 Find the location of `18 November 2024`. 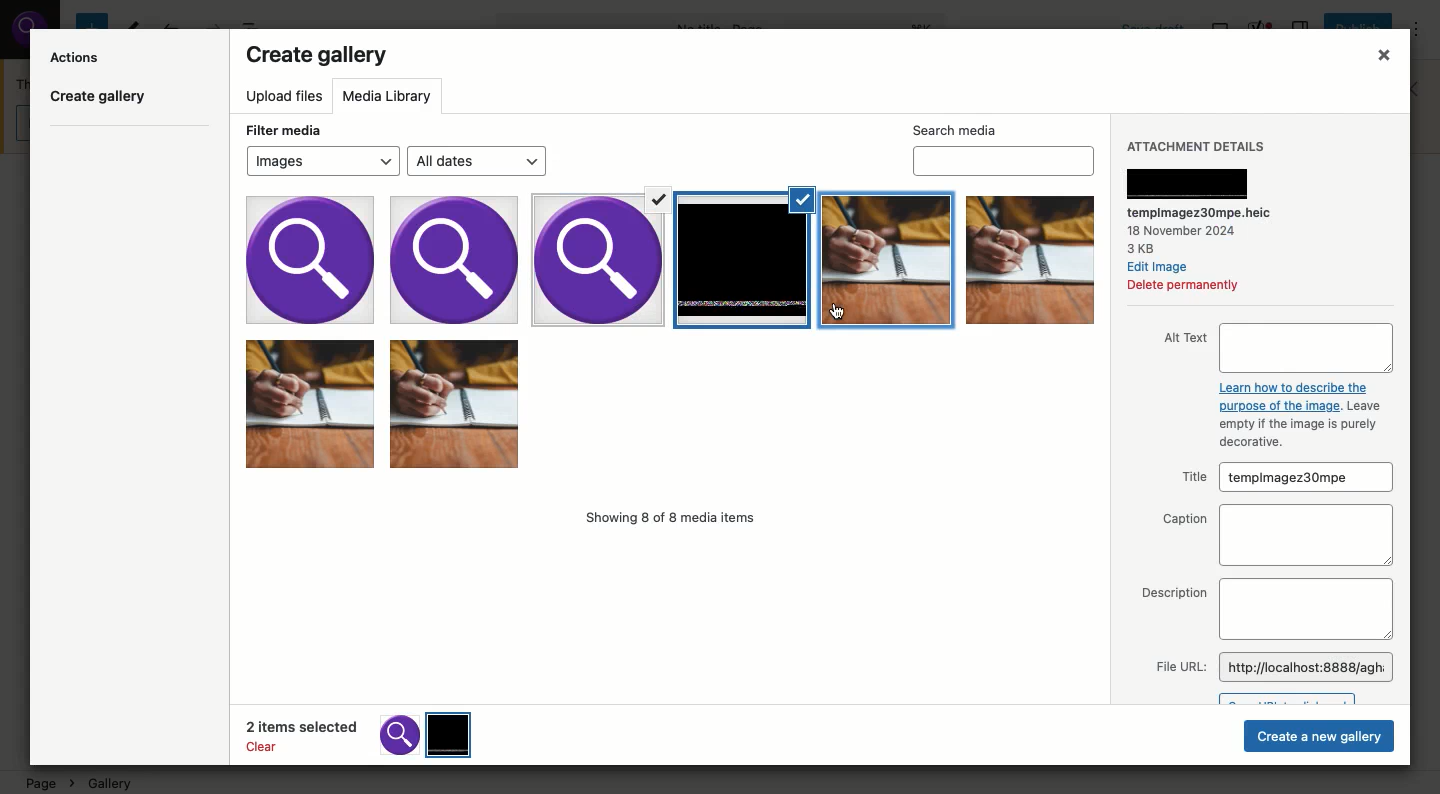

18 November 2024 is located at coordinates (1182, 230).